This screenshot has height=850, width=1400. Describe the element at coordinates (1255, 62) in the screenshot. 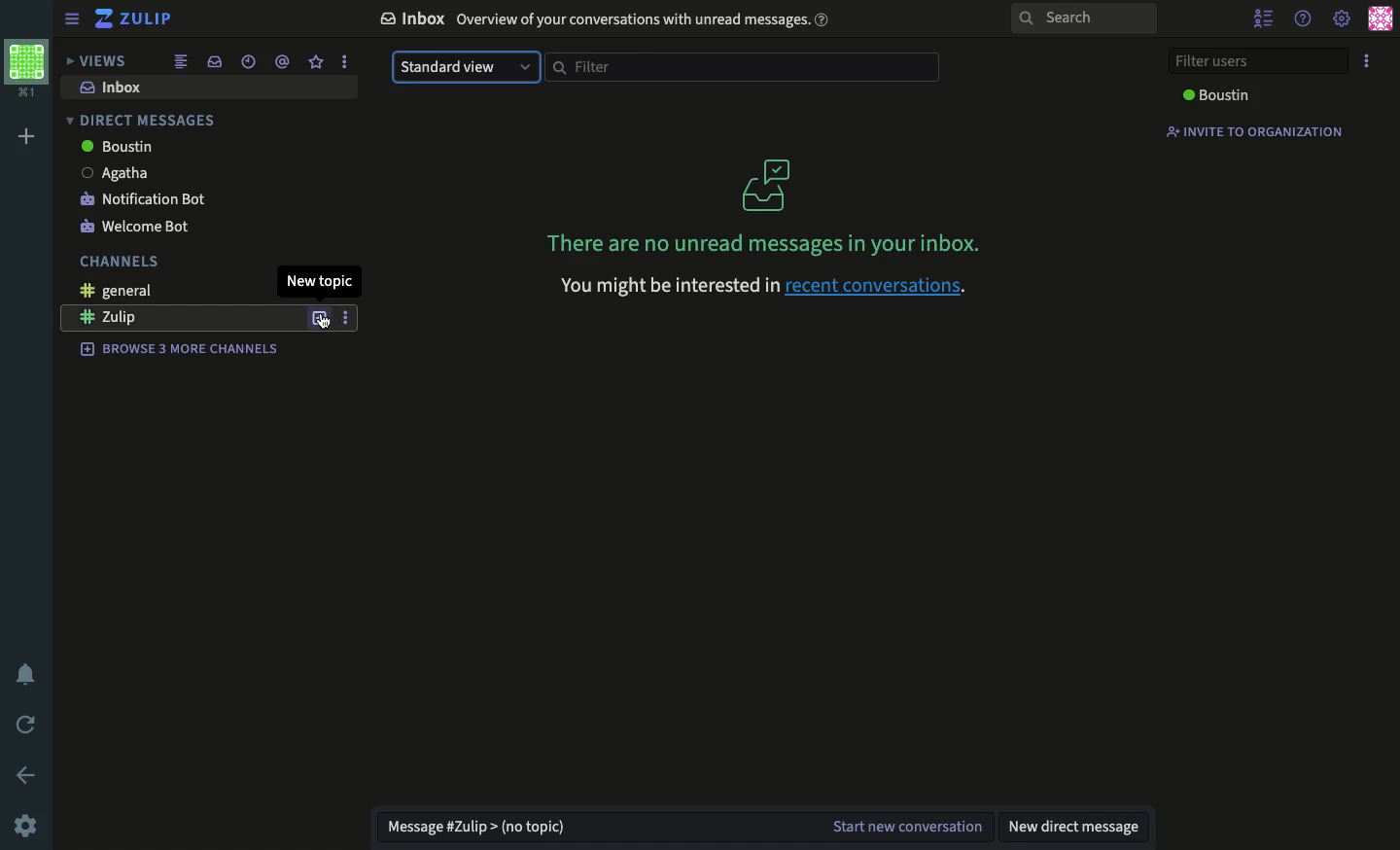

I see `filter users` at that location.